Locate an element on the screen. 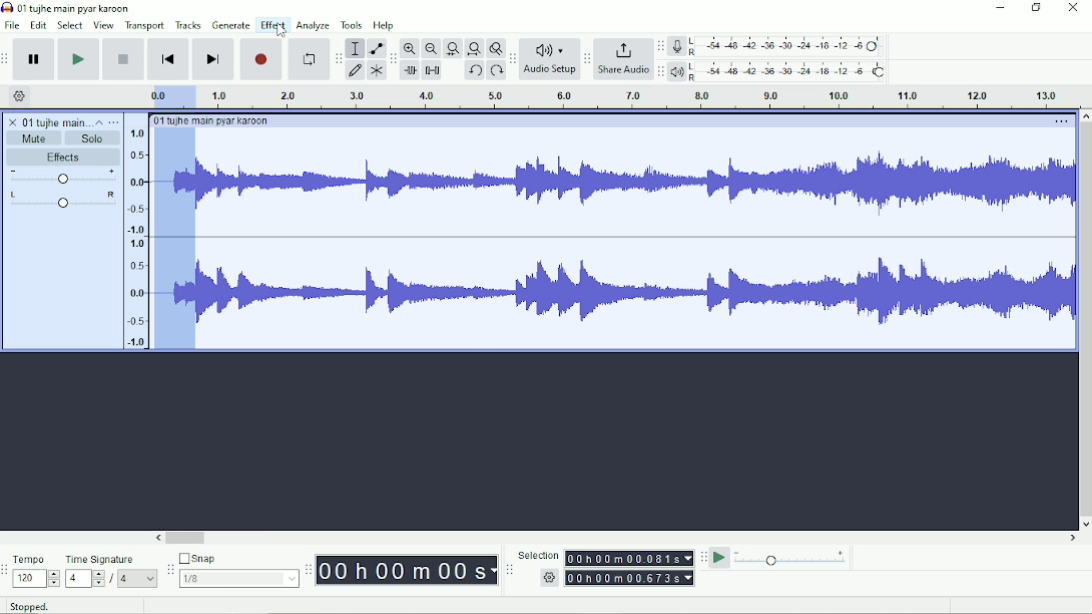  Restore down is located at coordinates (1037, 8).